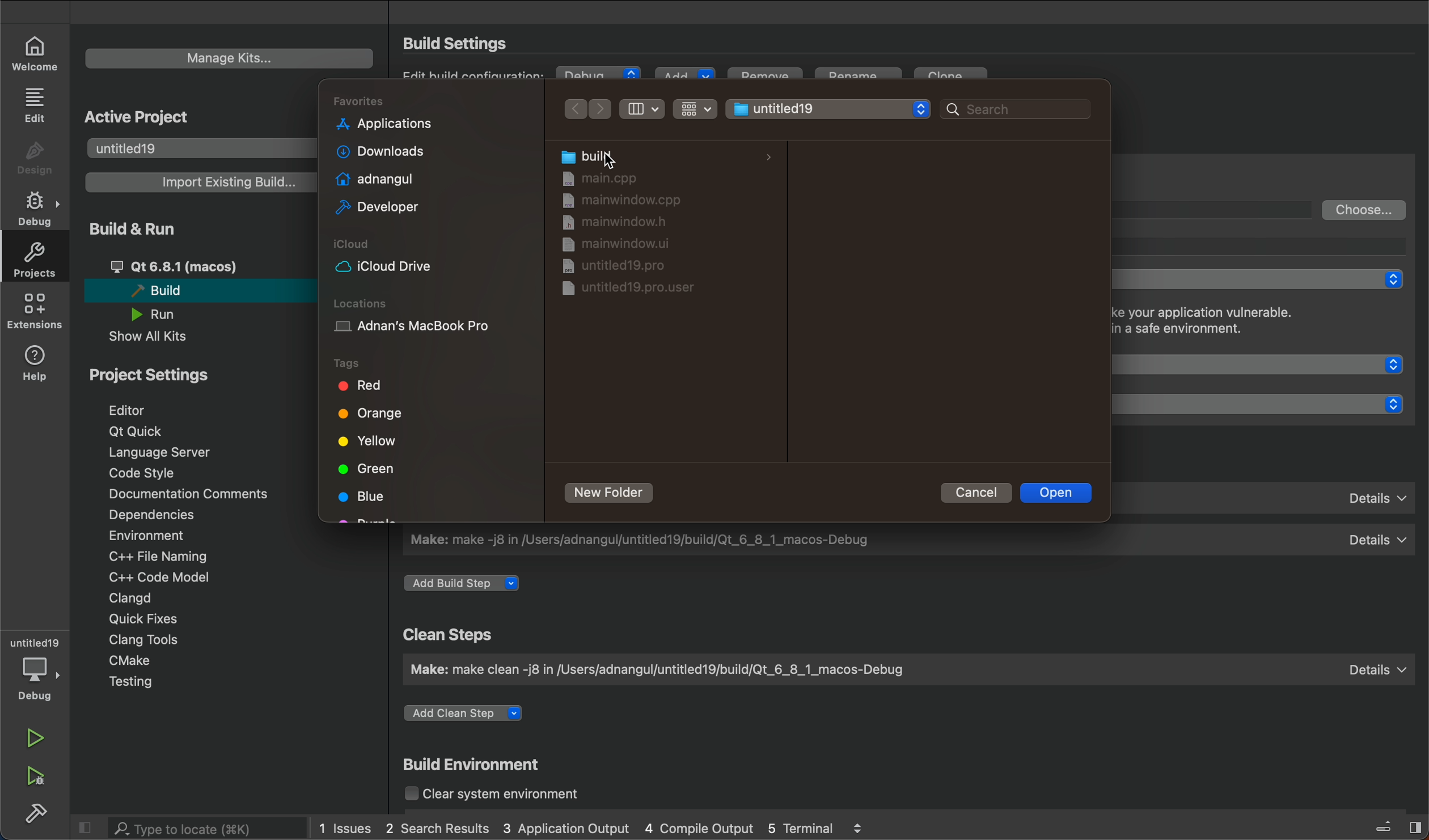  I want to click on active project, so click(141, 114).